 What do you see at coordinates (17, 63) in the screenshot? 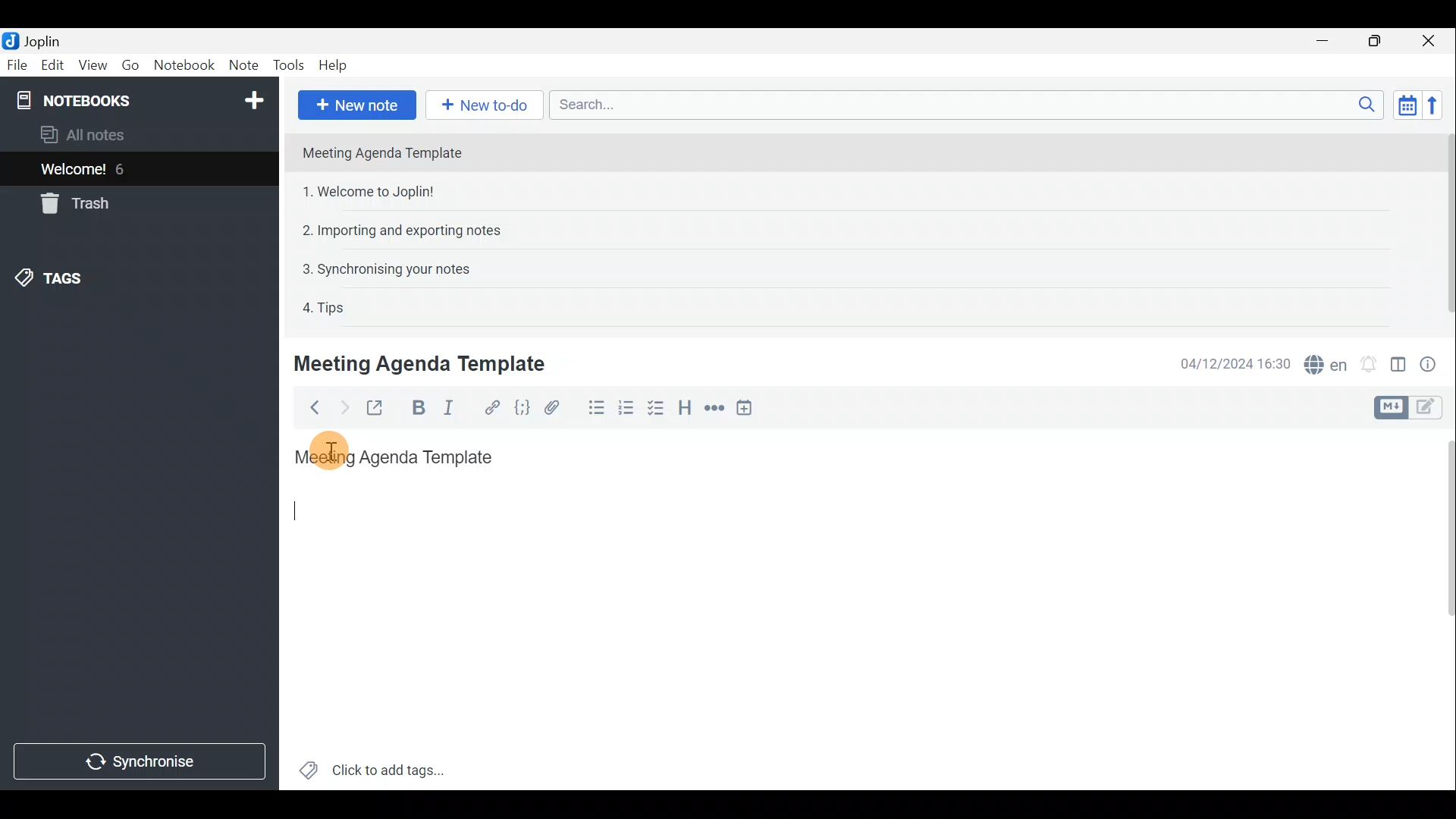
I see `File` at bounding box center [17, 63].